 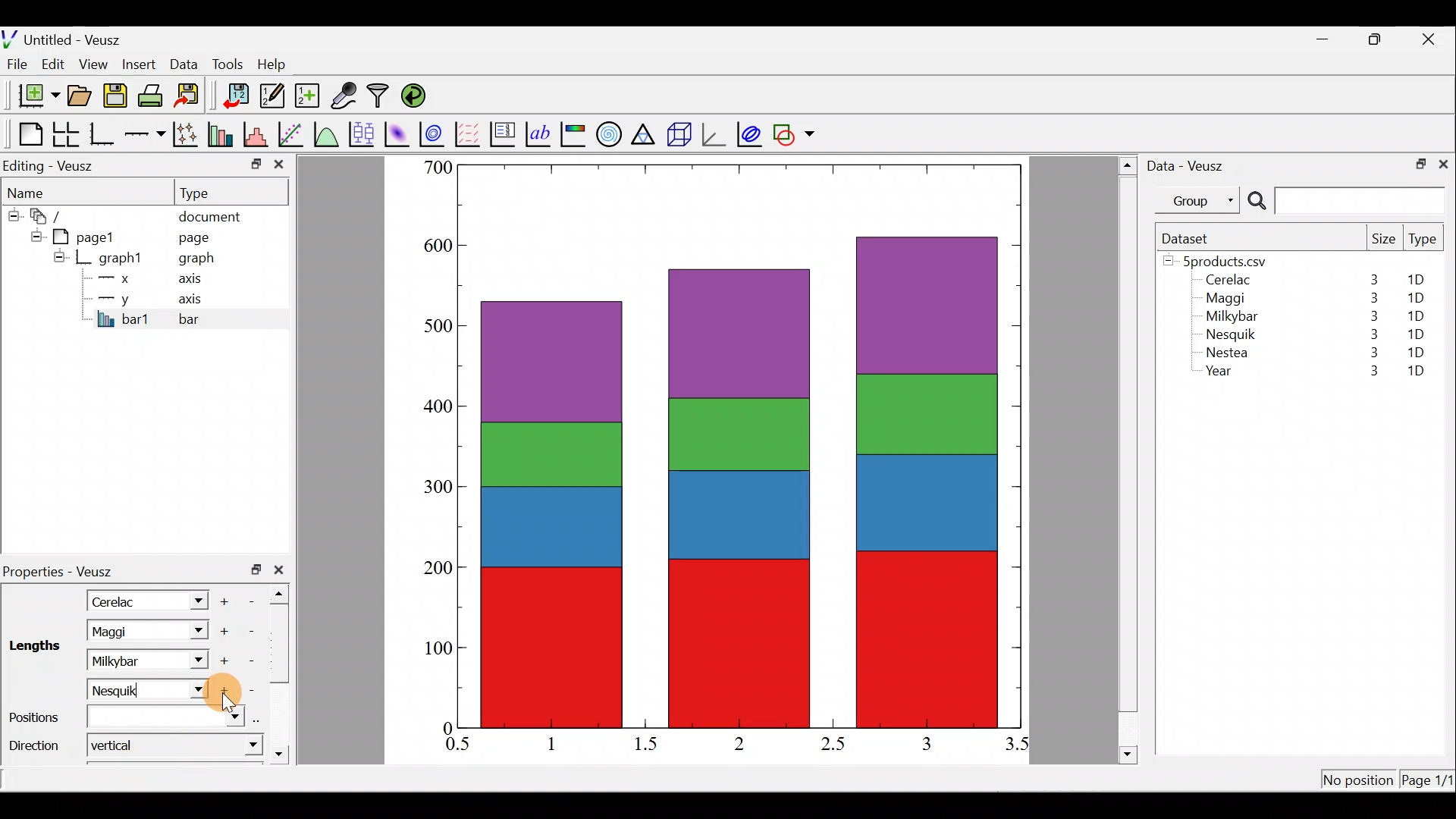 What do you see at coordinates (440, 484) in the screenshot?
I see `300` at bounding box center [440, 484].